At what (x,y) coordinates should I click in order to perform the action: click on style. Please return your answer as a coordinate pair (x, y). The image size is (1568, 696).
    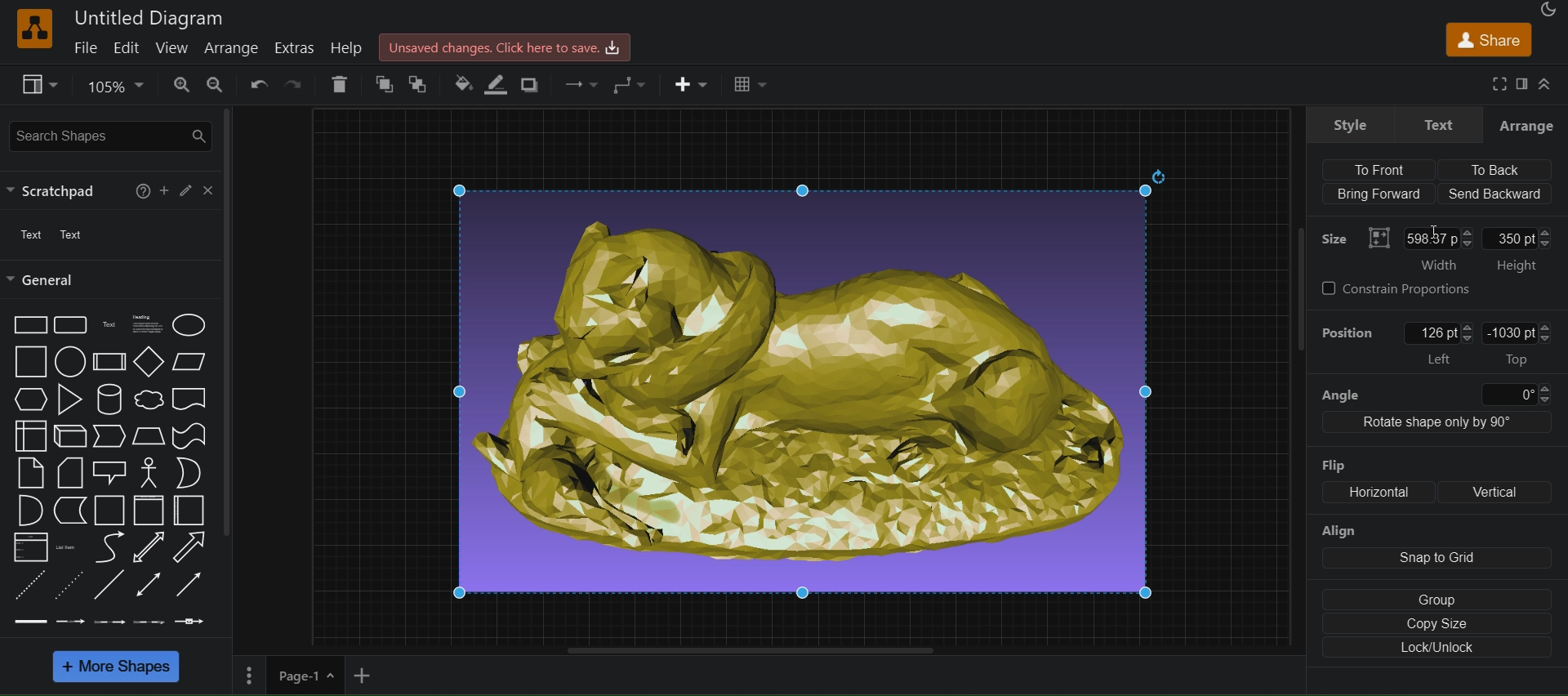
    Looking at the image, I should click on (1351, 124).